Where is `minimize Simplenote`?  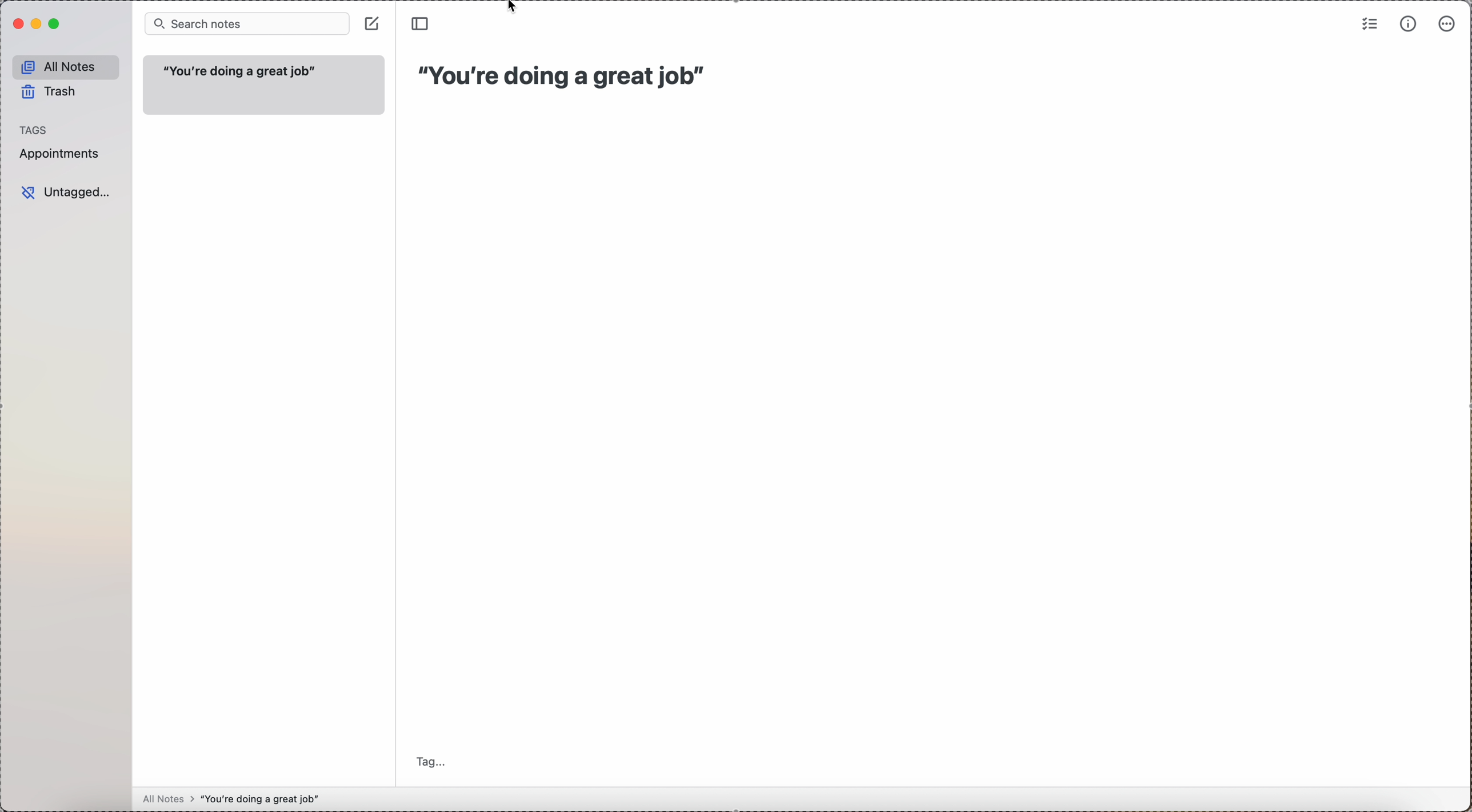 minimize Simplenote is located at coordinates (38, 25).